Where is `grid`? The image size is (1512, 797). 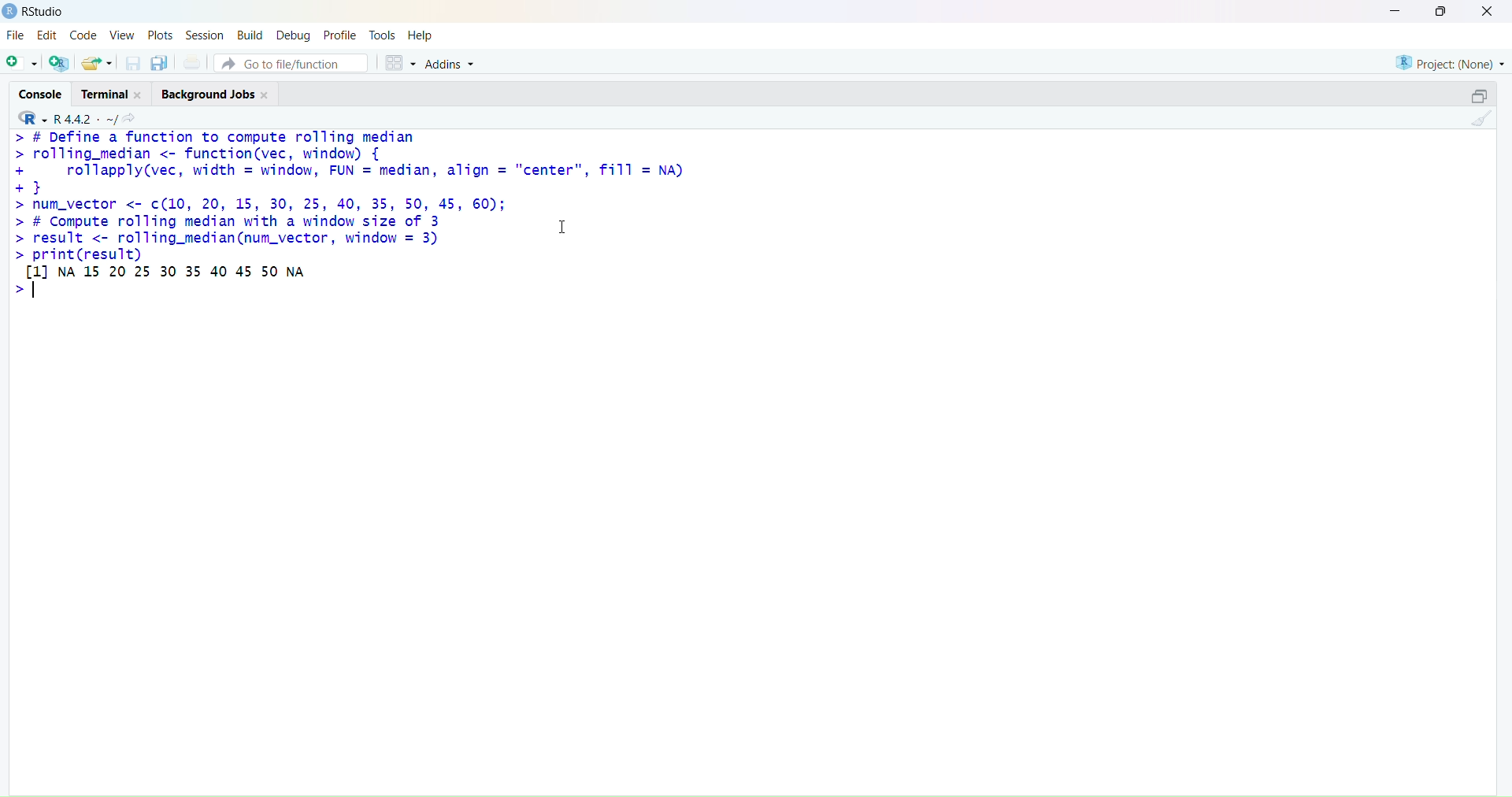 grid is located at coordinates (402, 63).